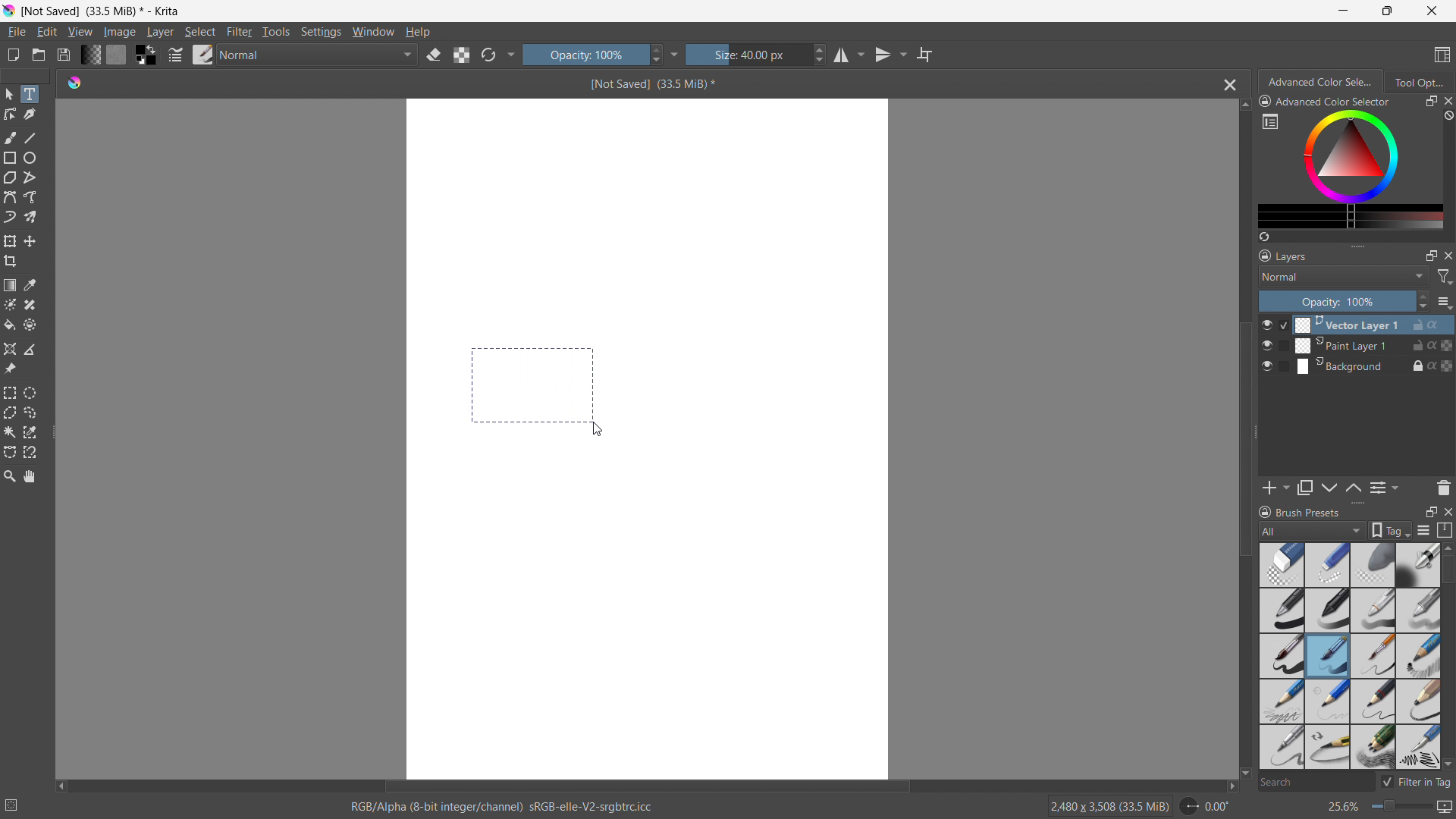 The height and width of the screenshot is (819, 1456). I want to click on preserve alpha, so click(461, 55).